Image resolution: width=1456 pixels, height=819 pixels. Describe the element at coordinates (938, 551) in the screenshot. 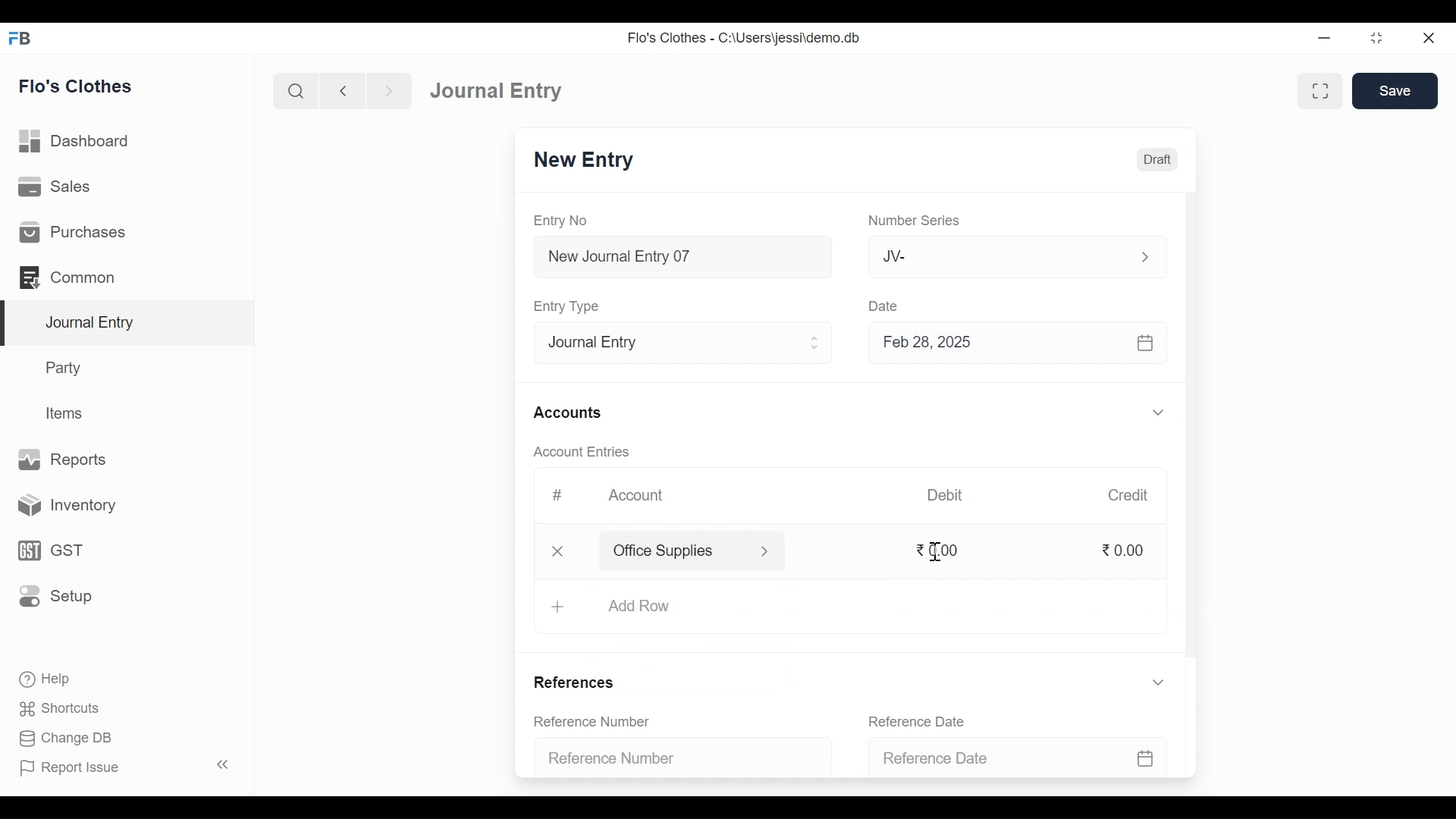

I see `Text Cursor` at that location.